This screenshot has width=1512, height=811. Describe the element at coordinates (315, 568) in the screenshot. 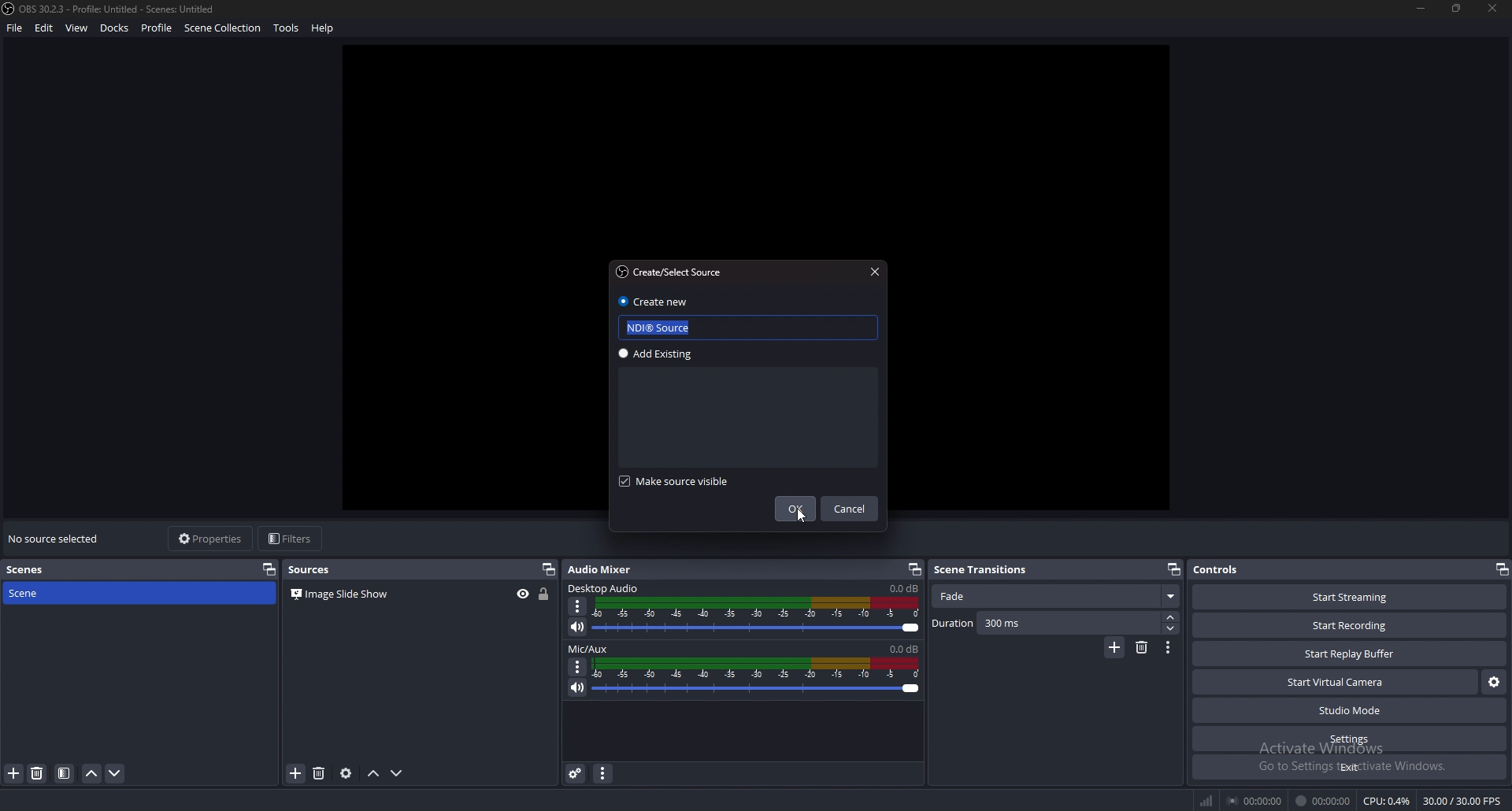

I see `sources` at that location.